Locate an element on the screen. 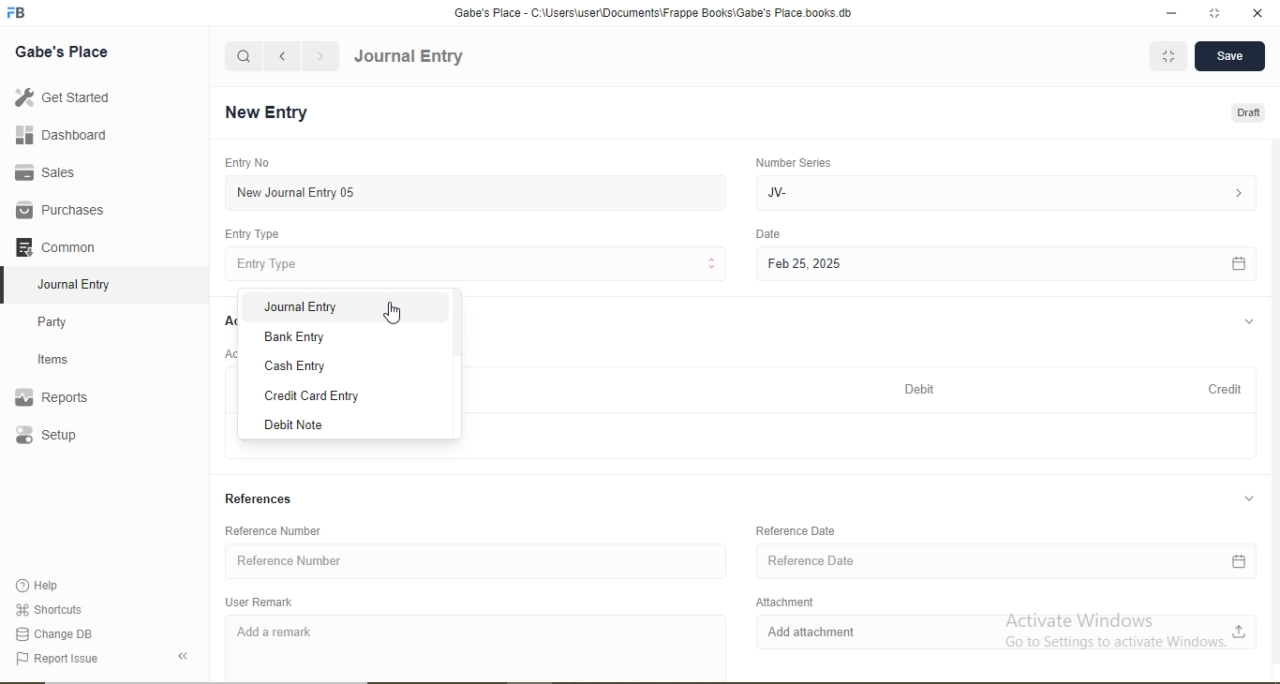 This screenshot has height=684, width=1280. Number Series is located at coordinates (792, 162).